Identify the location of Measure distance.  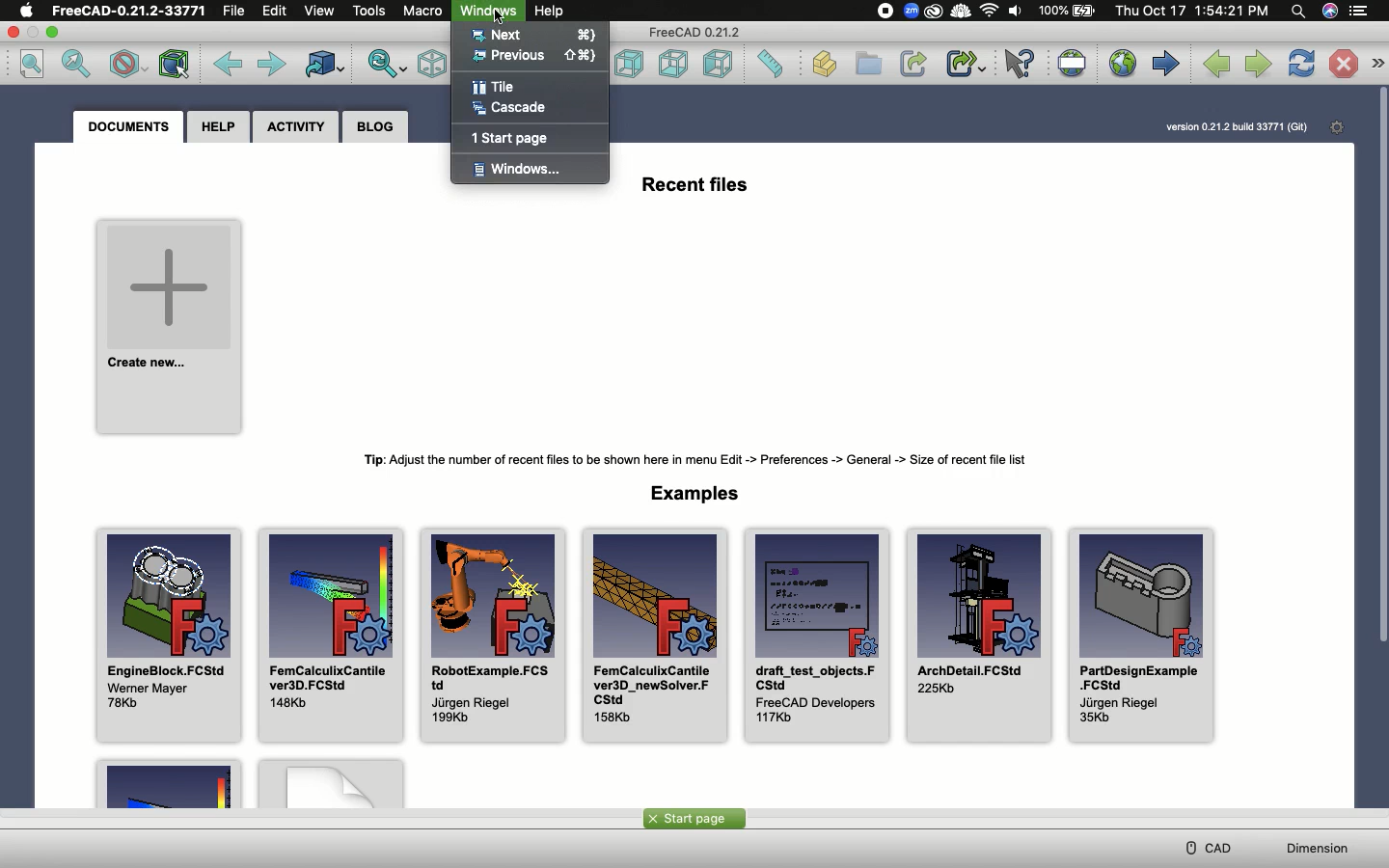
(773, 66).